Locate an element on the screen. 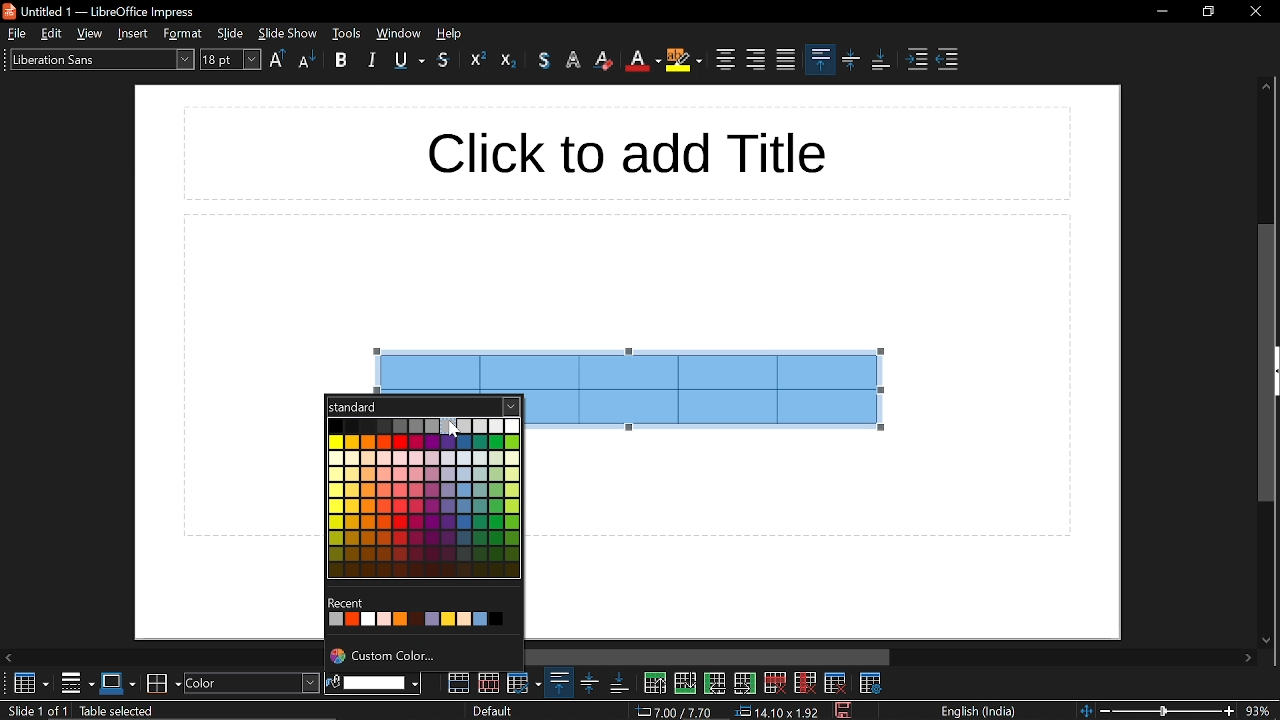  table properties is located at coordinates (872, 683).